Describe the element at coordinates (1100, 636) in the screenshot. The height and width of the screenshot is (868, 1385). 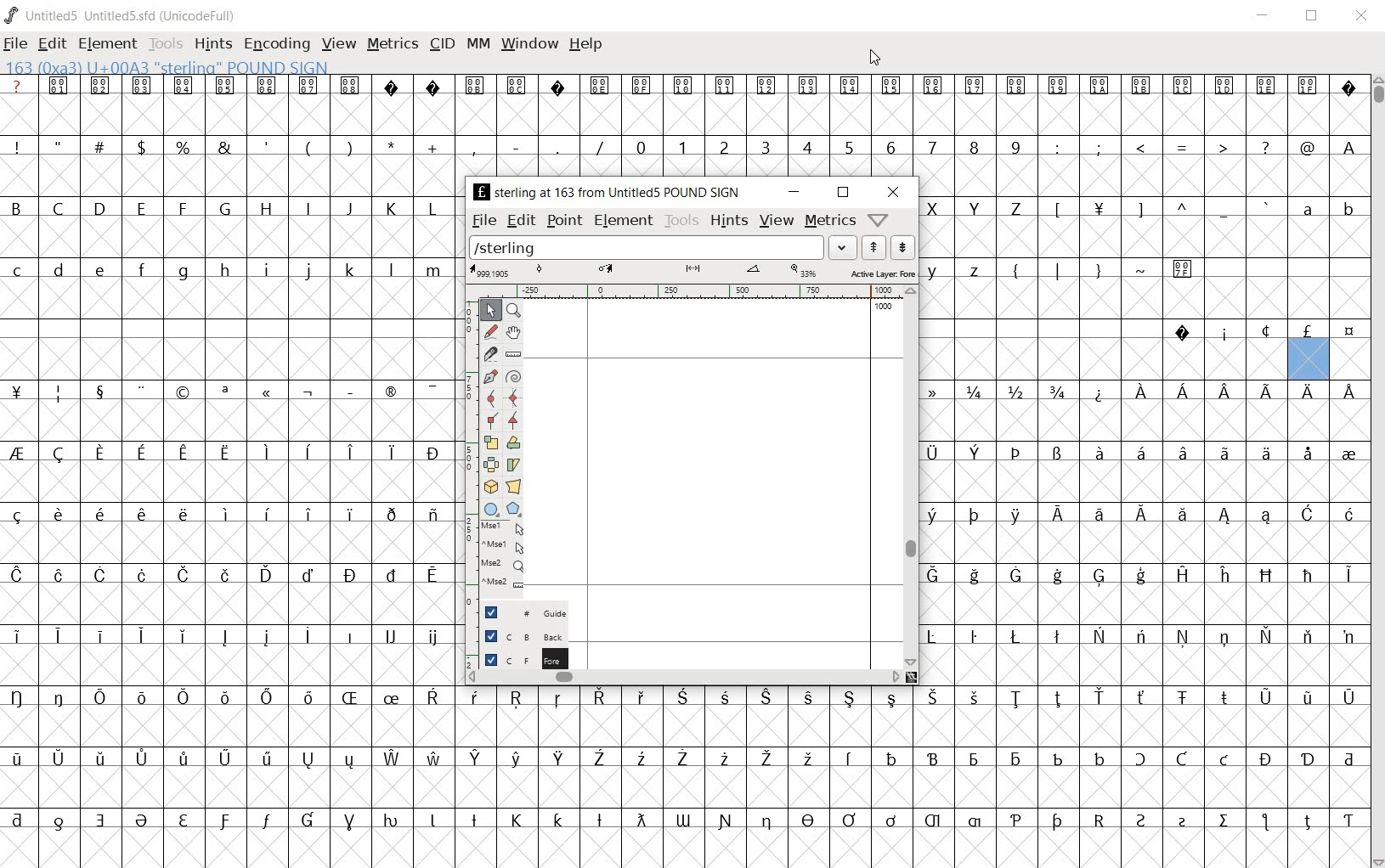
I see `Symbol` at that location.